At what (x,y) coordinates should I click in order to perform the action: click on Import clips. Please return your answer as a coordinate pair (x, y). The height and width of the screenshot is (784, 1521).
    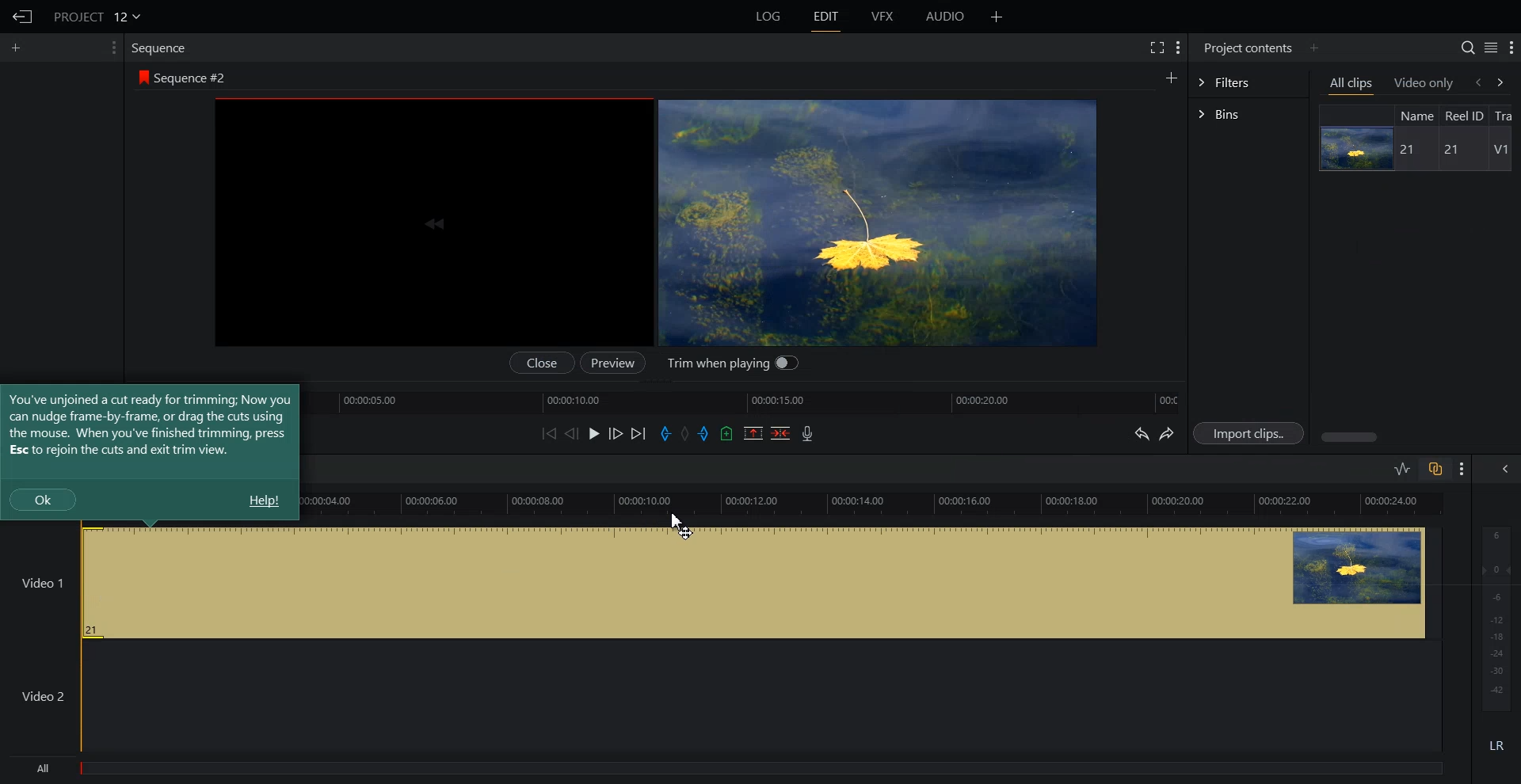
    Looking at the image, I should click on (1248, 432).